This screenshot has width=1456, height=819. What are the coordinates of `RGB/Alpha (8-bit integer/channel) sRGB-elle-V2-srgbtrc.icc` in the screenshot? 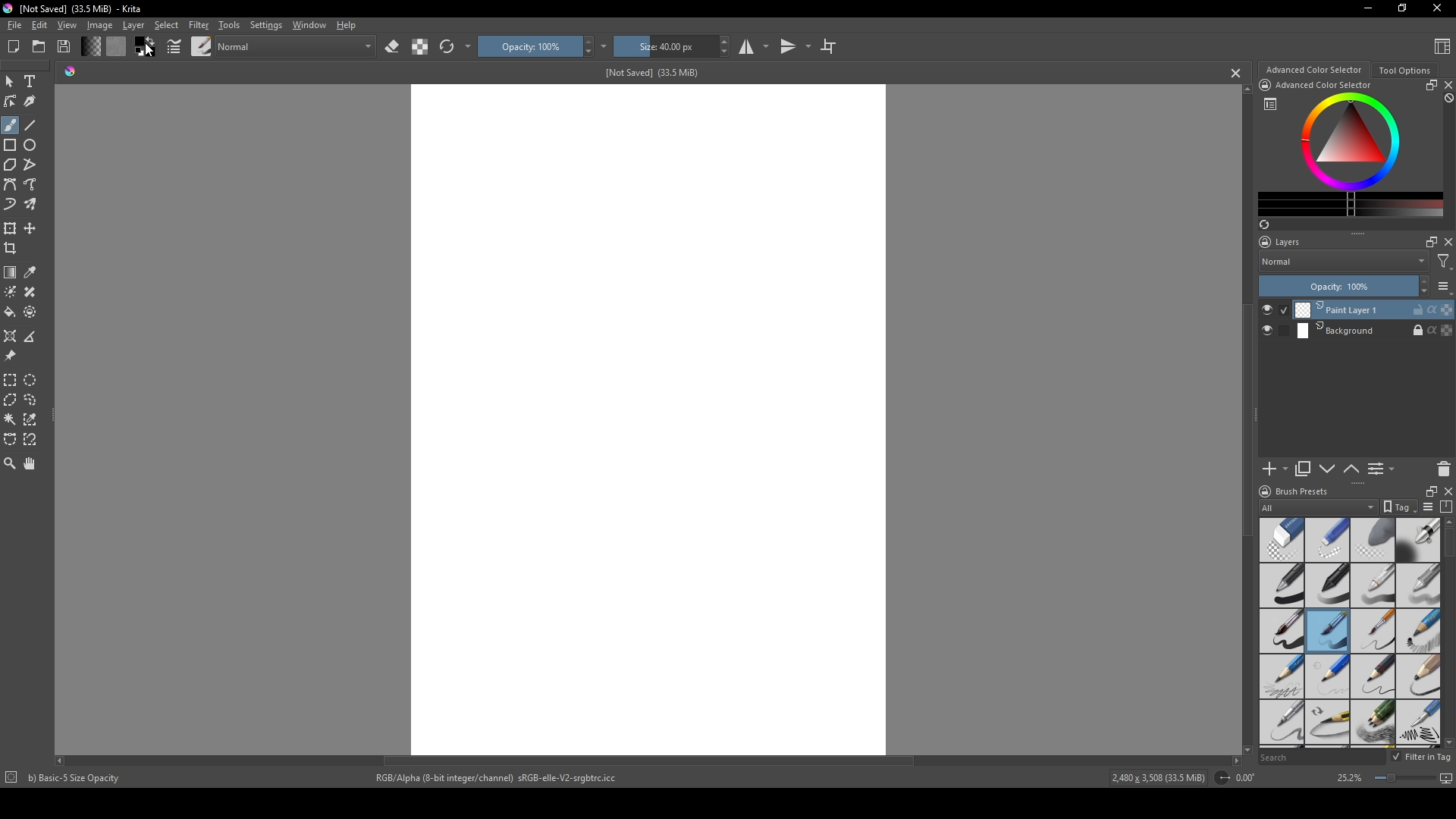 It's located at (503, 778).